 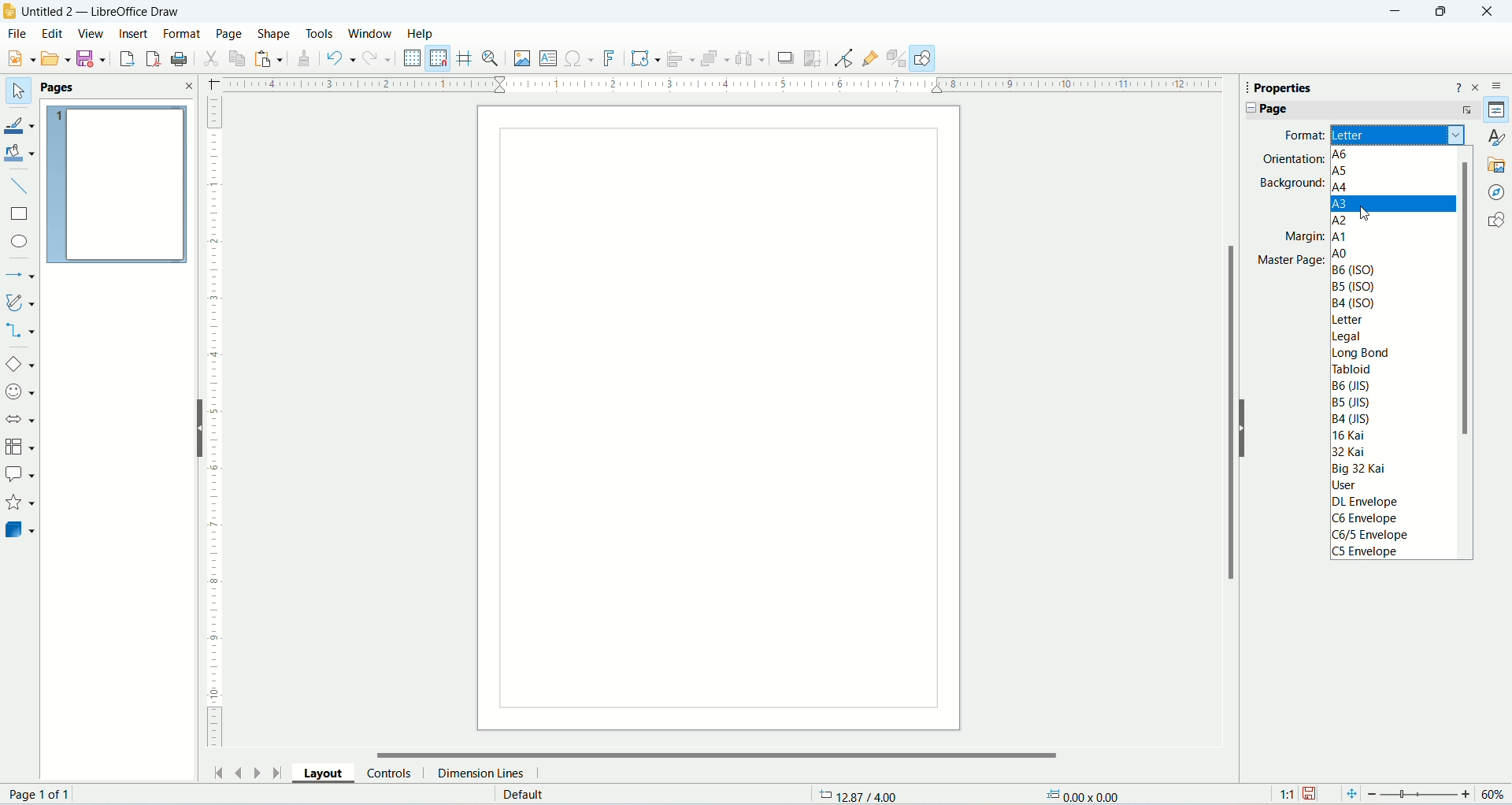 What do you see at coordinates (1242, 427) in the screenshot?
I see `hide` at bounding box center [1242, 427].